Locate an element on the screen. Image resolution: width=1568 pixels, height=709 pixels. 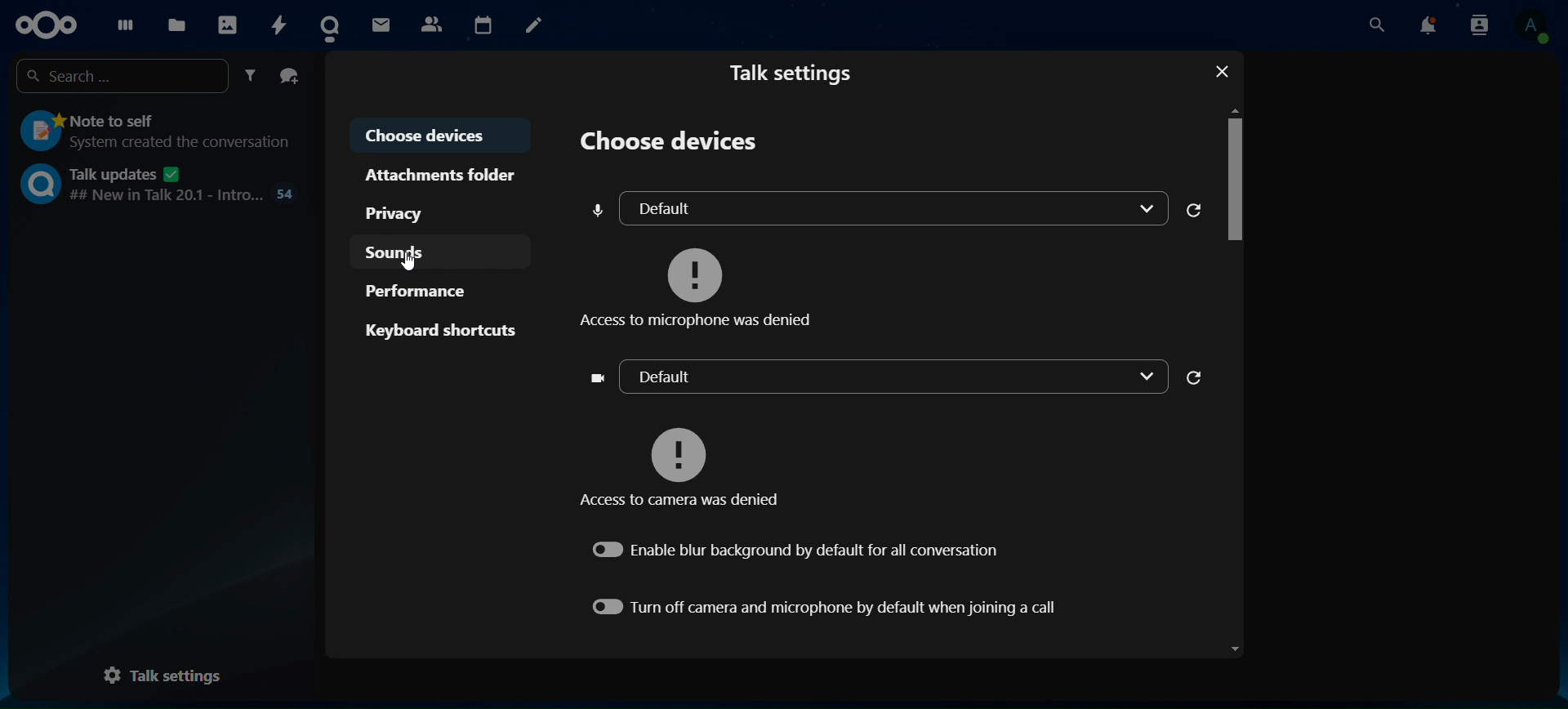
access to camera was denied is located at coordinates (677, 467).